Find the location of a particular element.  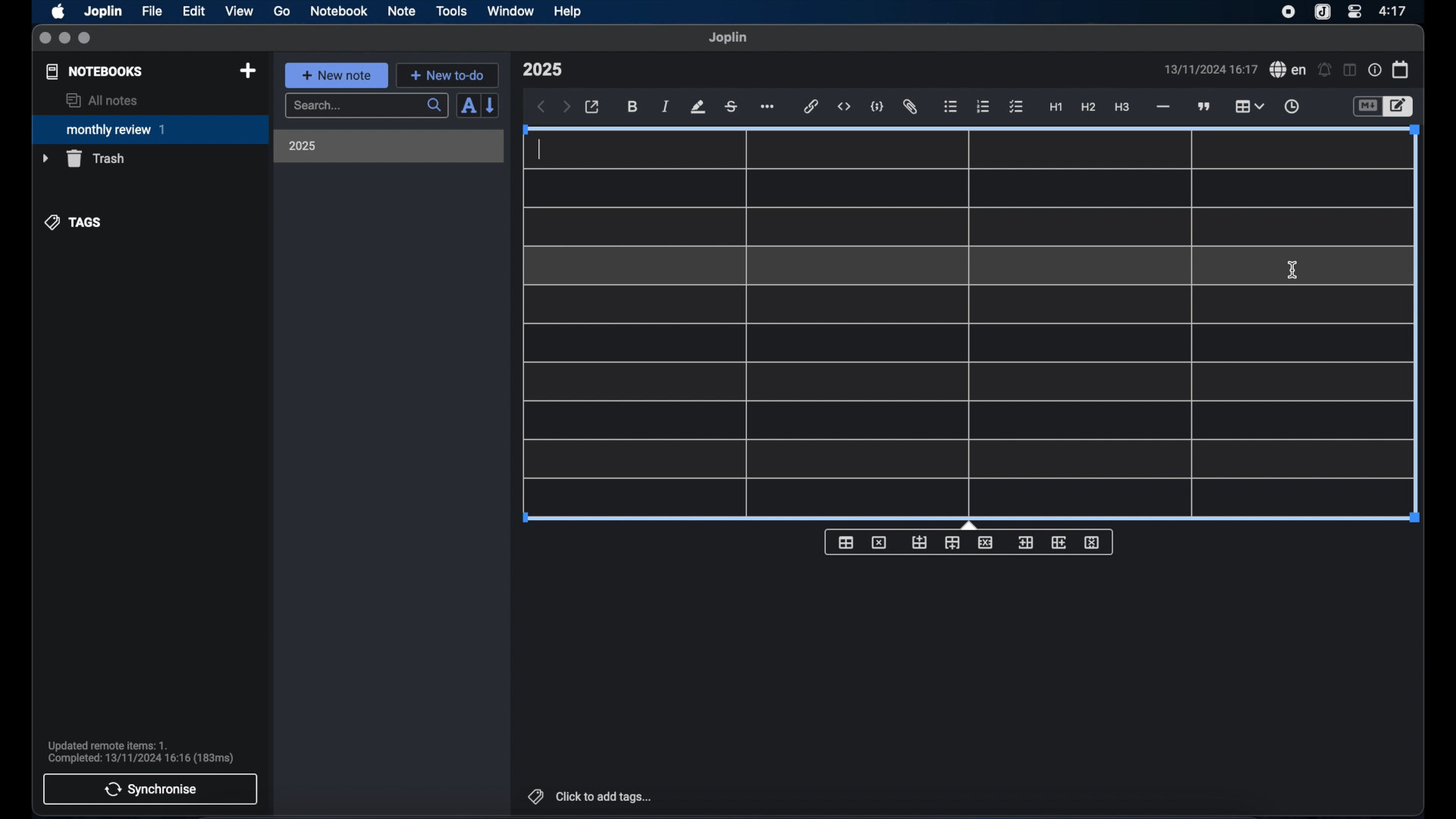

tags is located at coordinates (74, 222).